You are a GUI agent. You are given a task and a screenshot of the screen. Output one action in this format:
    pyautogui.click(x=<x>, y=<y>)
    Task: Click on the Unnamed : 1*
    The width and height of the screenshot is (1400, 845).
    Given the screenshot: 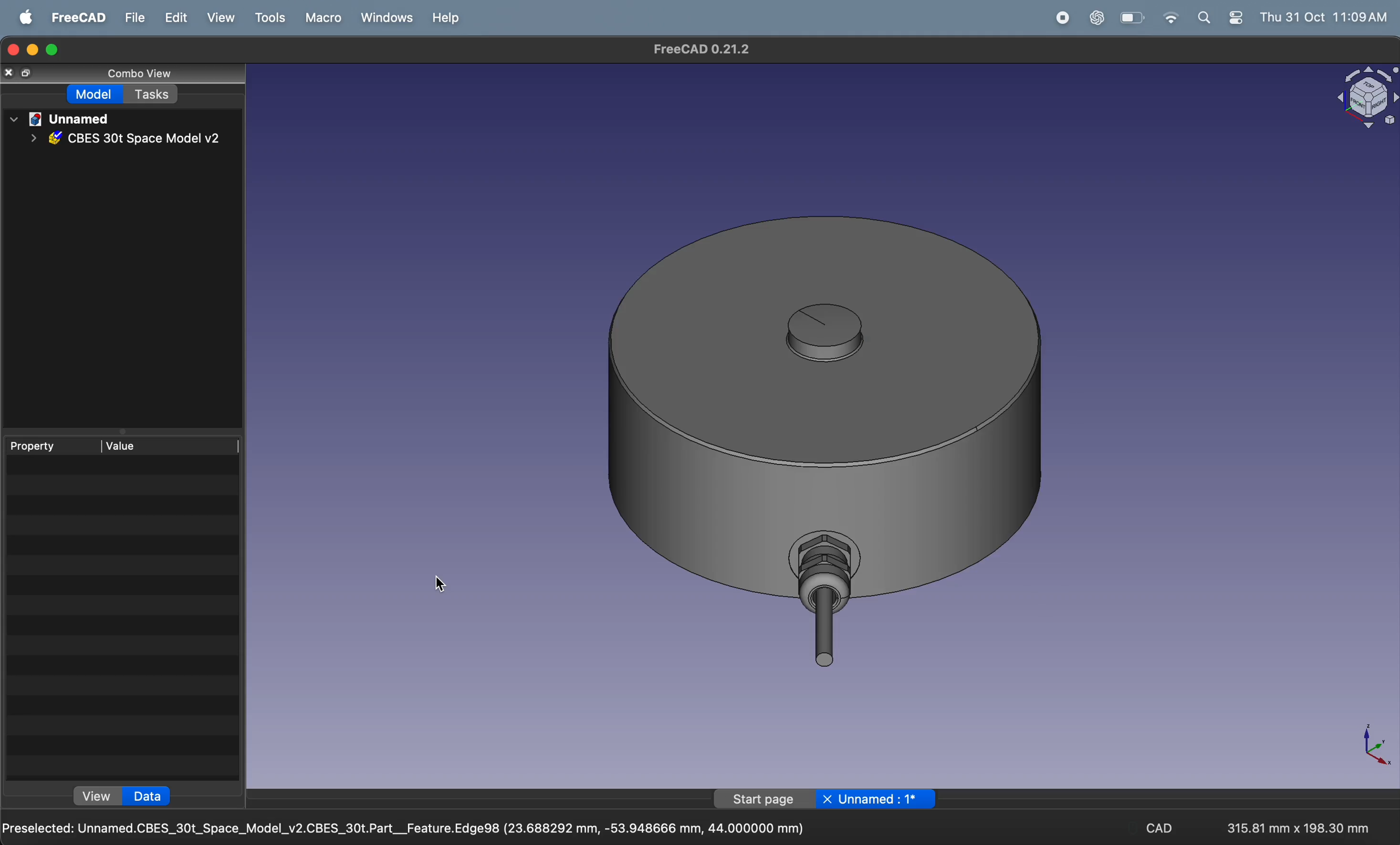 What is the action you would take?
    pyautogui.click(x=881, y=801)
    